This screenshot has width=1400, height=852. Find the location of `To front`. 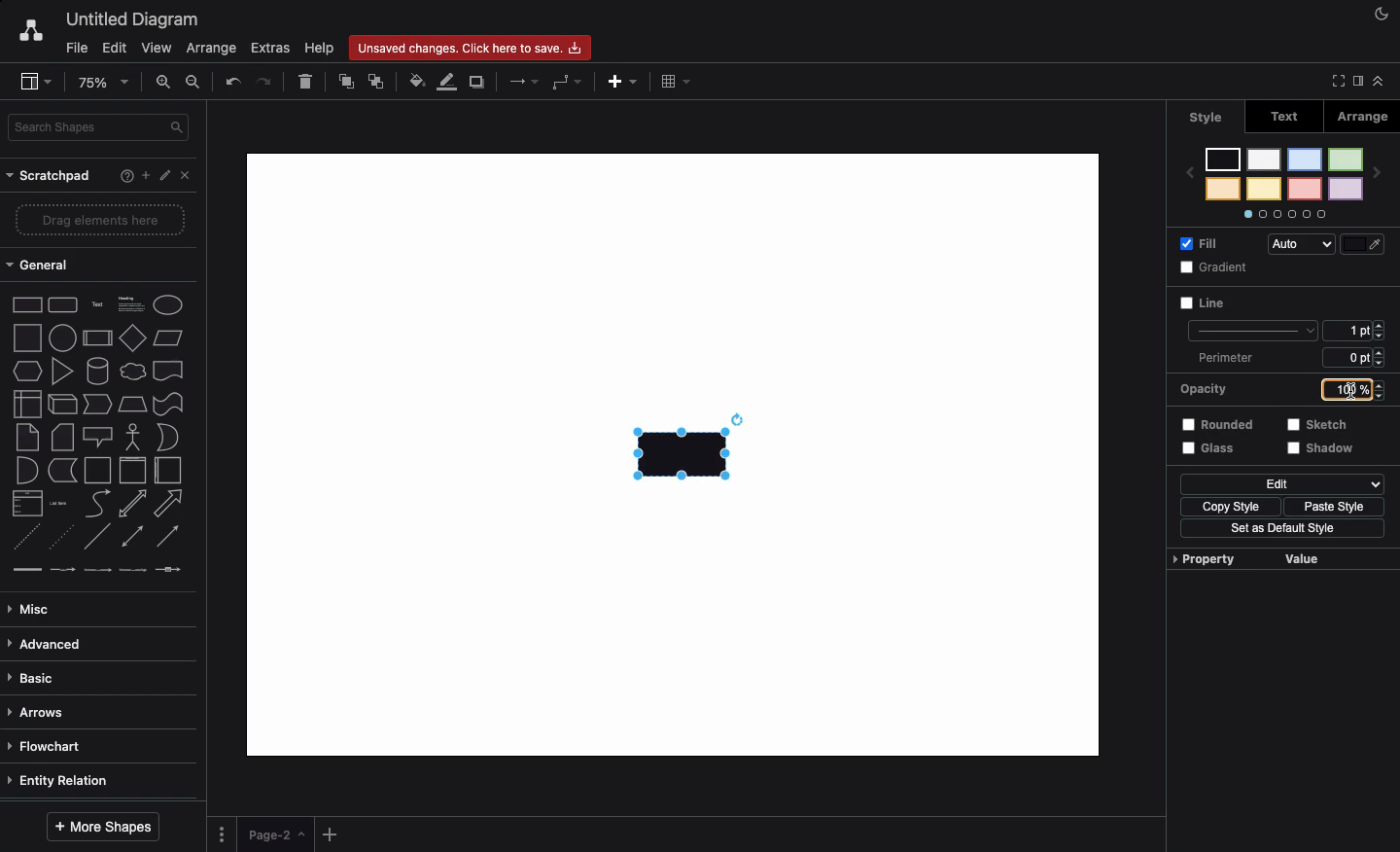

To front is located at coordinates (346, 81).